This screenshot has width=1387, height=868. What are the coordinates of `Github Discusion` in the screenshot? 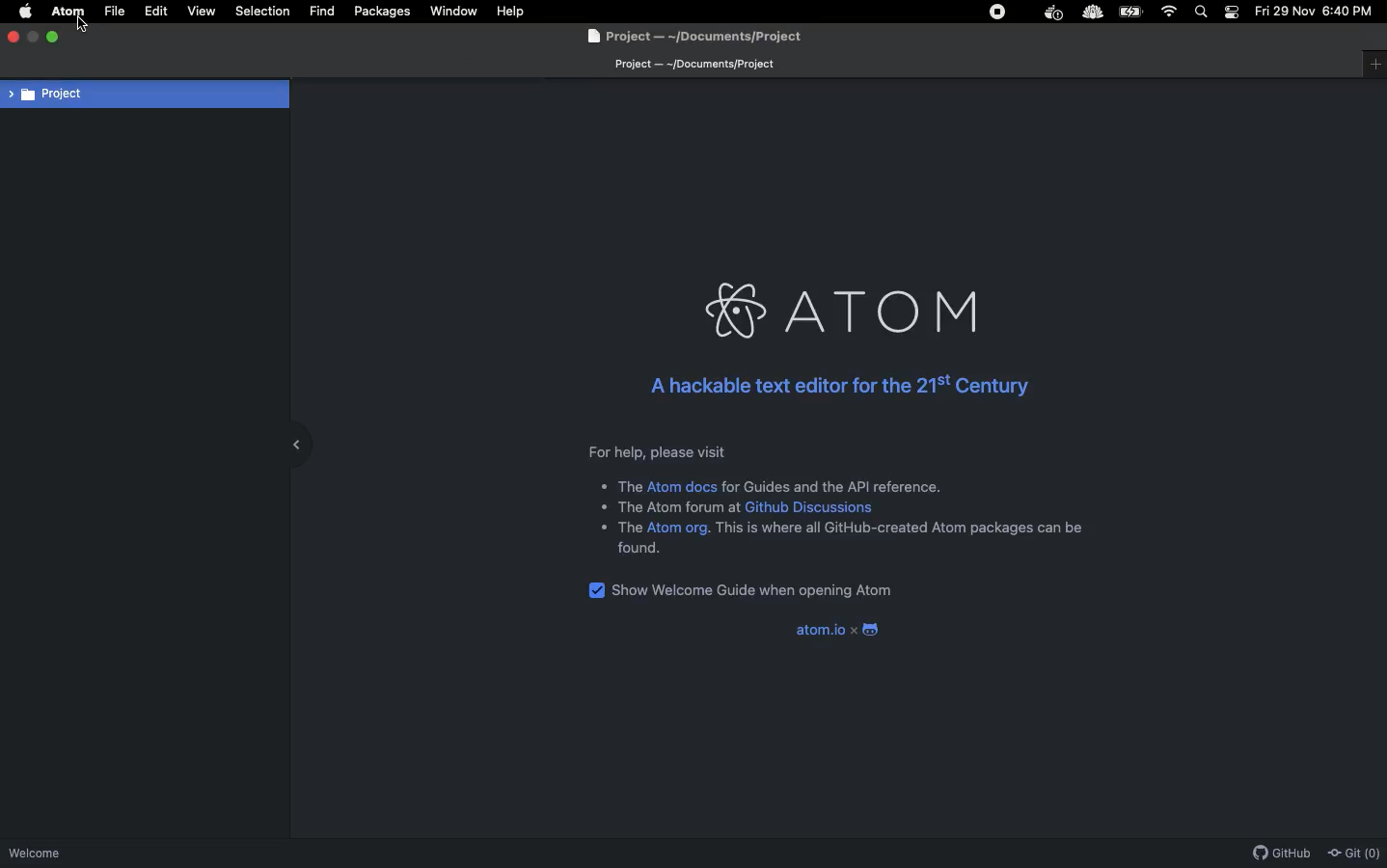 It's located at (809, 506).